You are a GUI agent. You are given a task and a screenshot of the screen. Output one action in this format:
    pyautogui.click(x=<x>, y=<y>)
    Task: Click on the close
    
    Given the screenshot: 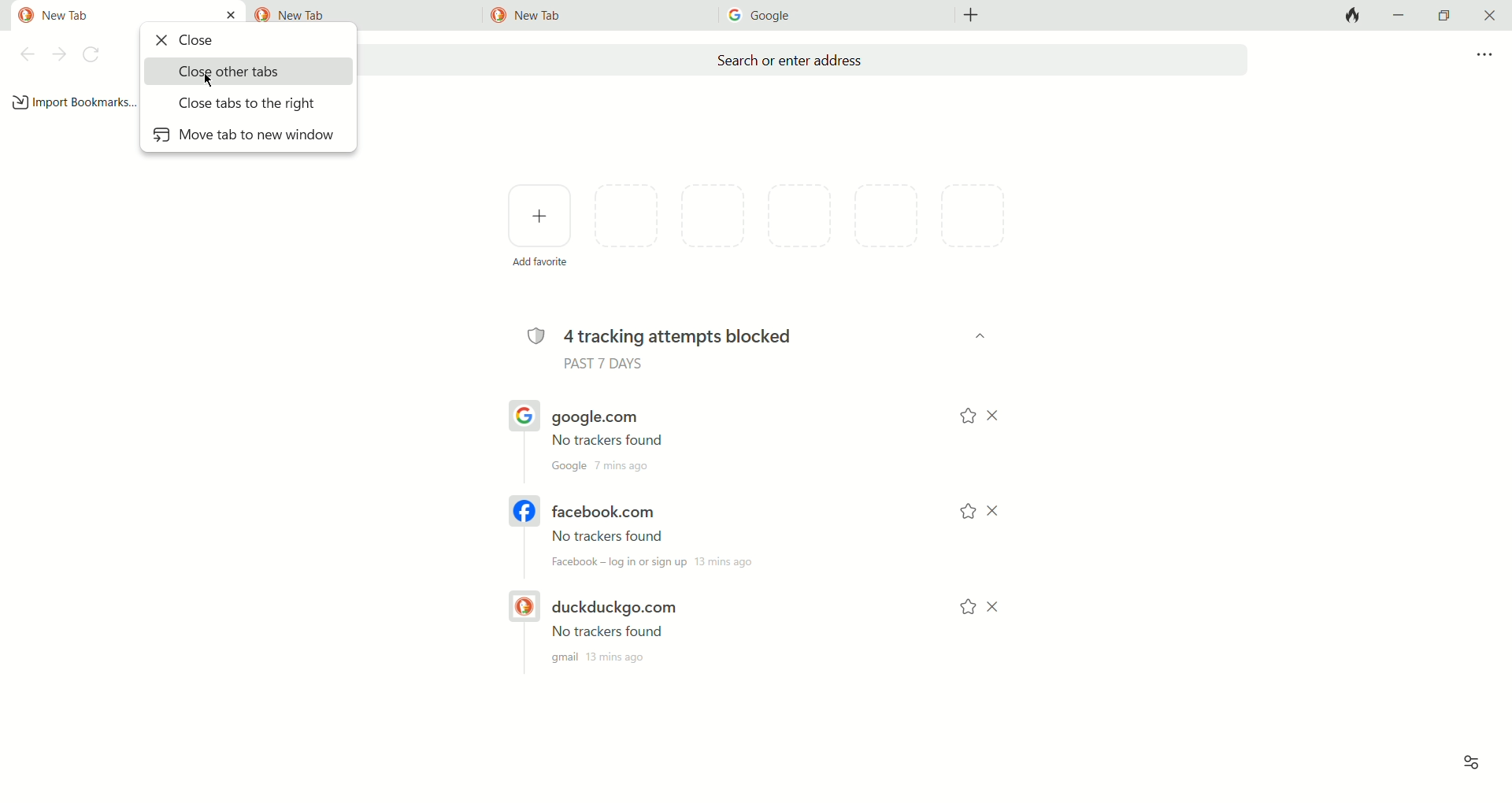 What is the action you would take?
    pyautogui.click(x=995, y=416)
    